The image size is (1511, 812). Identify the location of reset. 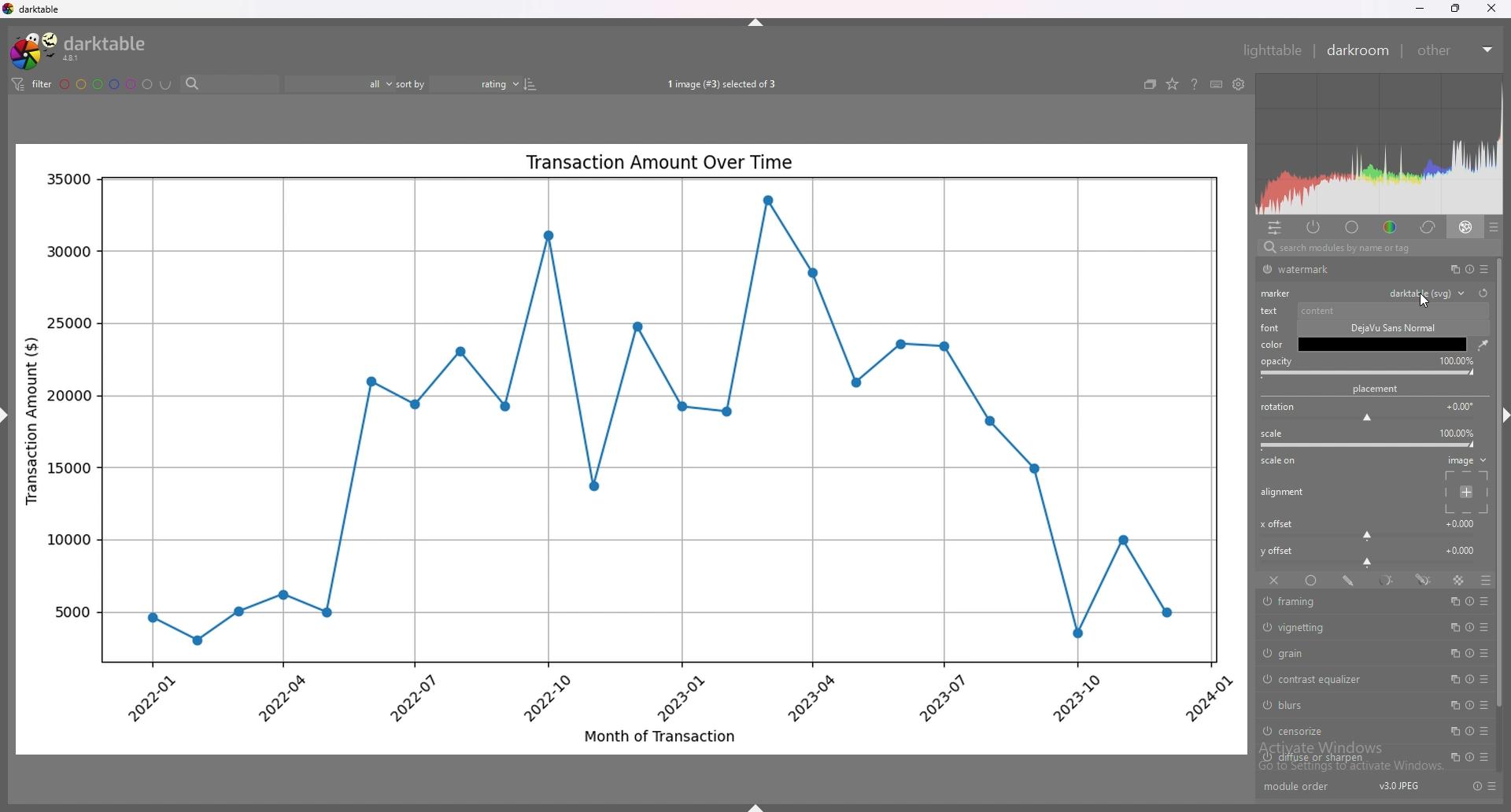
(1470, 601).